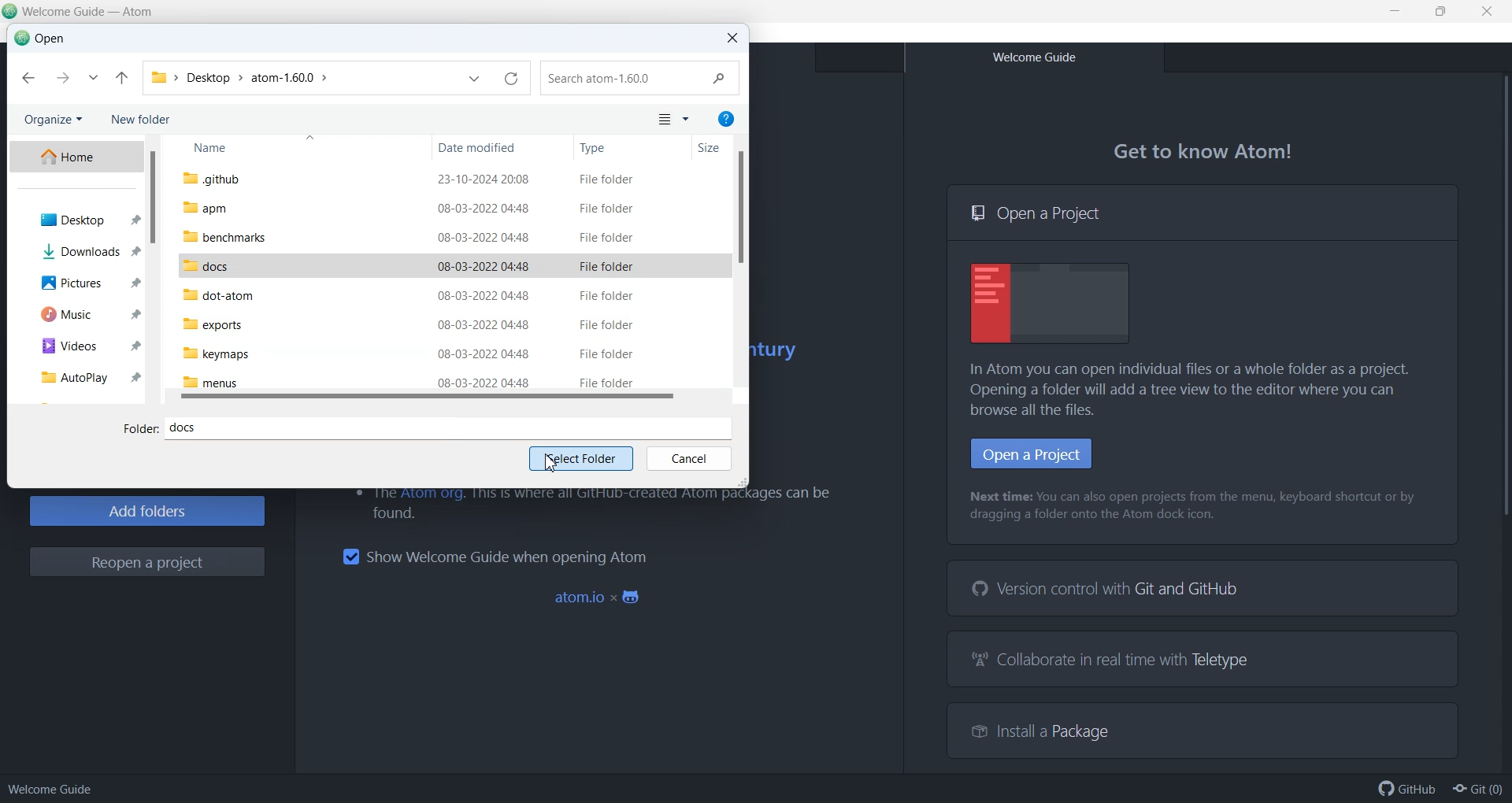  What do you see at coordinates (484, 324) in the screenshot?
I see `08-03-2022 04:48` at bounding box center [484, 324].